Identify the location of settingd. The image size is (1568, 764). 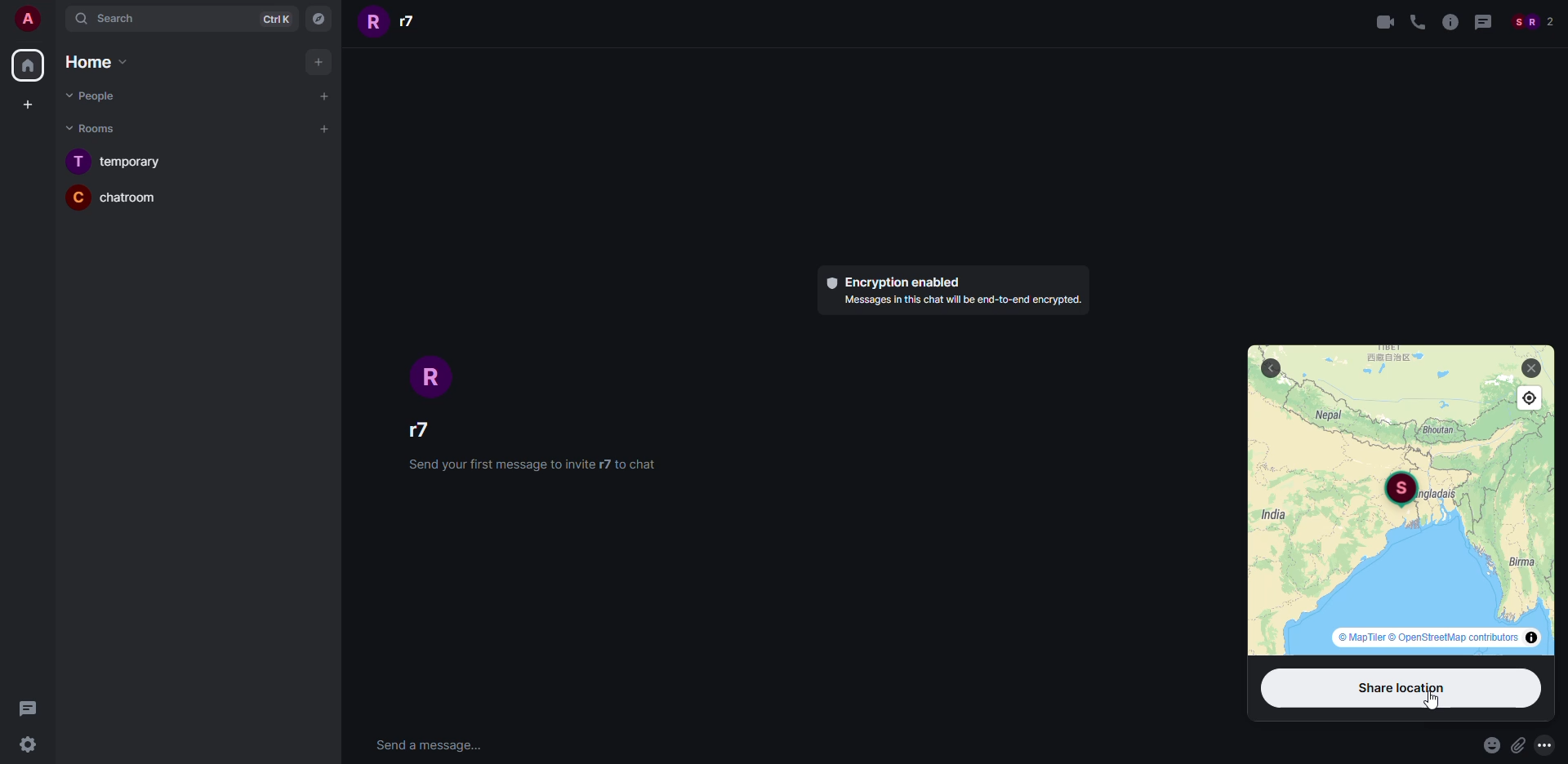
(25, 747).